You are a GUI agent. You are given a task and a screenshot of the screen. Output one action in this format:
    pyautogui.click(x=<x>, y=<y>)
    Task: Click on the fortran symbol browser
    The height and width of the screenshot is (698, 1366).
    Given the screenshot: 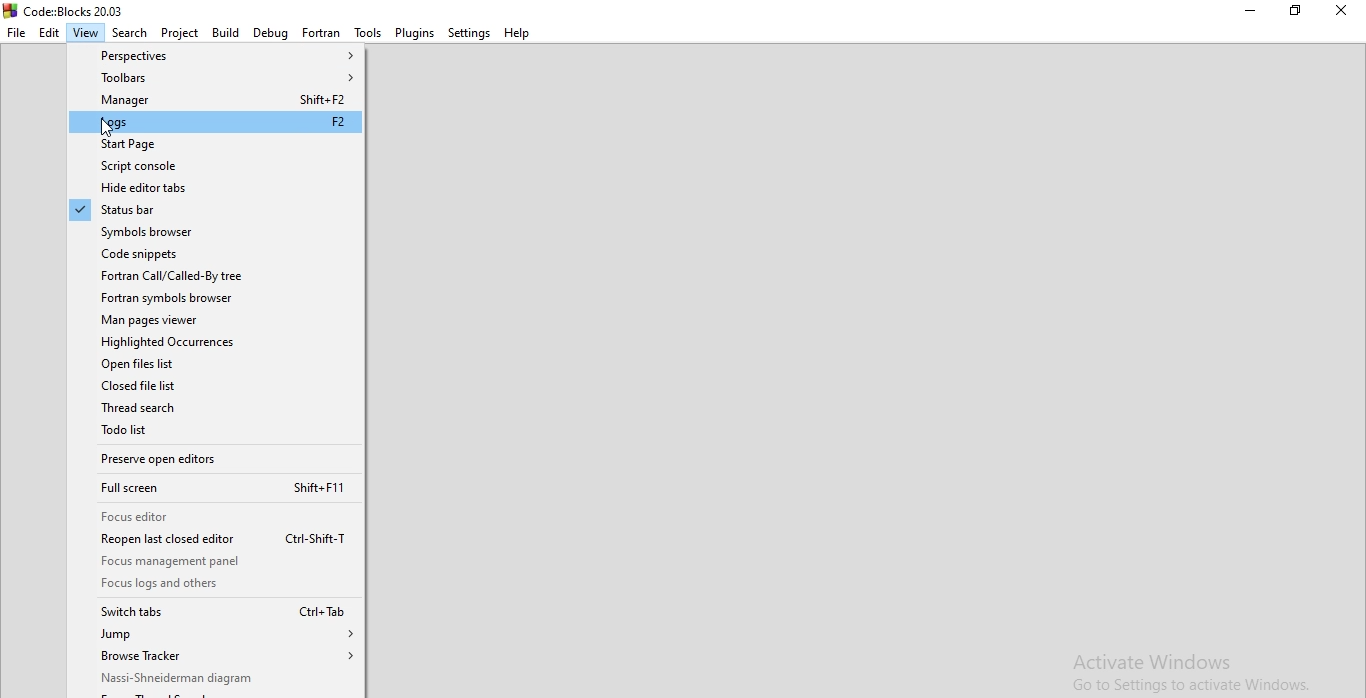 What is the action you would take?
    pyautogui.click(x=217, y=298)
    